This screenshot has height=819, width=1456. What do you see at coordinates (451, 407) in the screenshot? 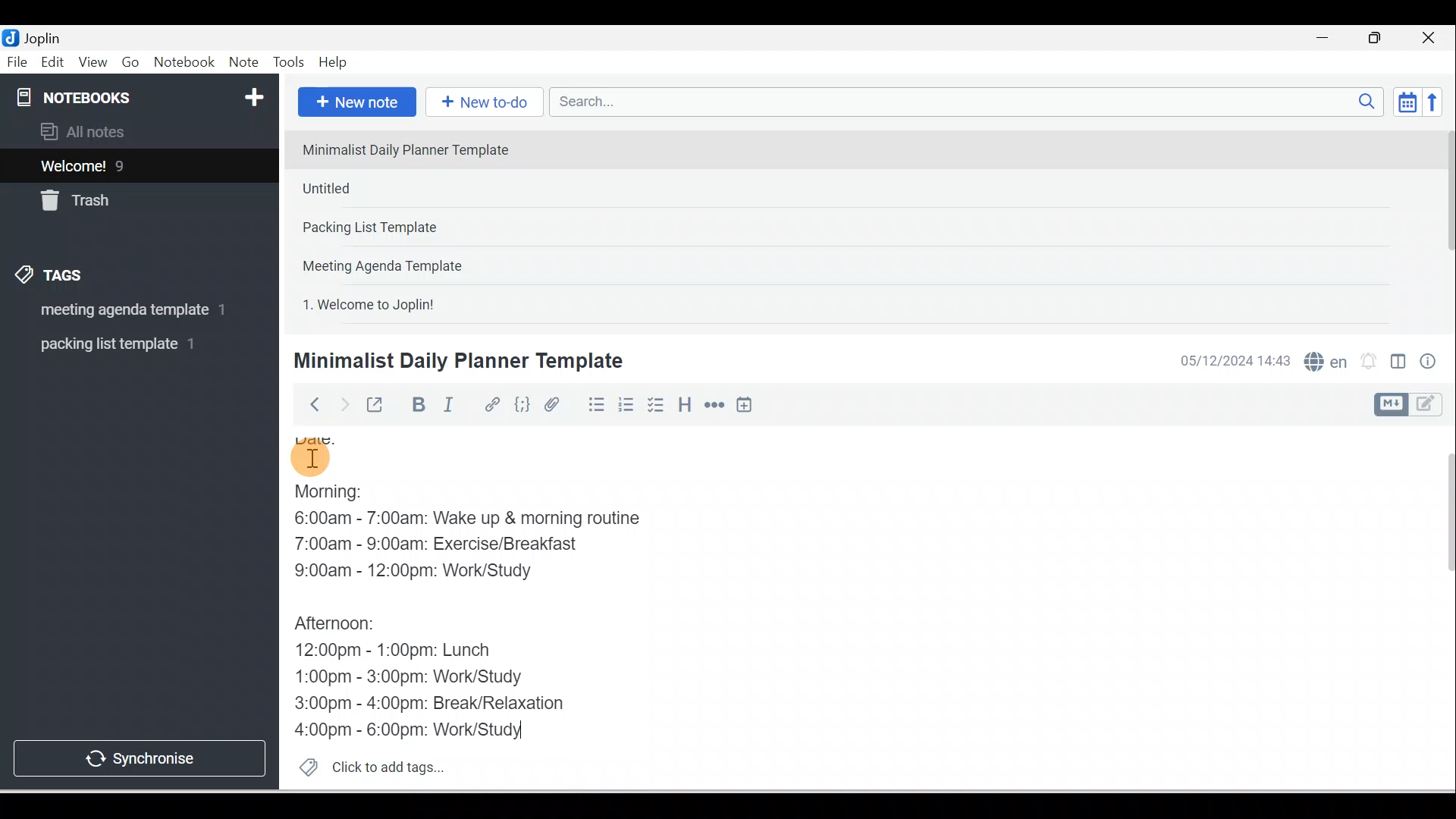
I see `Italic` at bounding box center [451, 407].